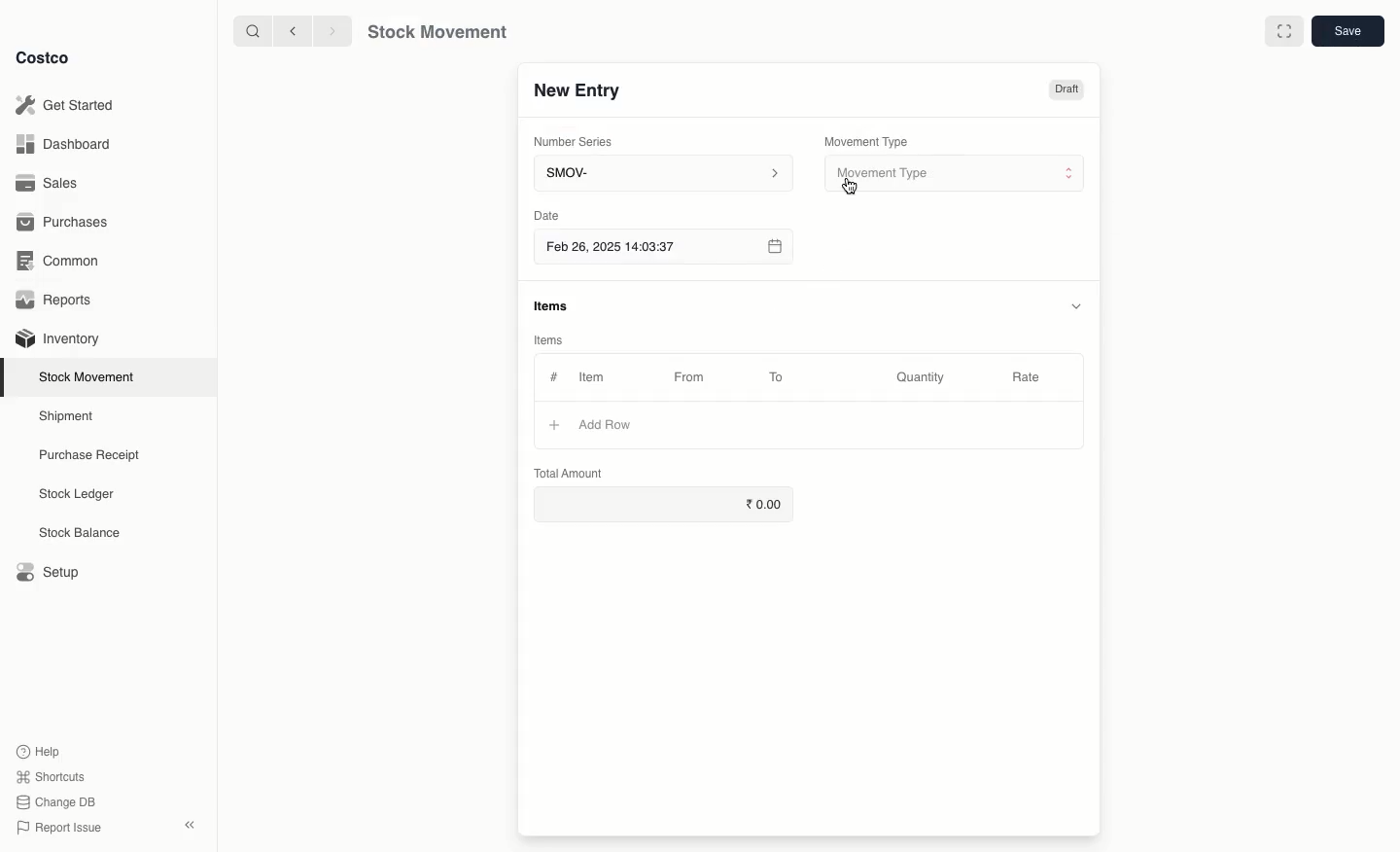 The width and height of the screenshot is (1400, 852). What do you see at coordinates (579, 94) in the screenshot?
I see `New Entry` at bounding box center [579, 94].